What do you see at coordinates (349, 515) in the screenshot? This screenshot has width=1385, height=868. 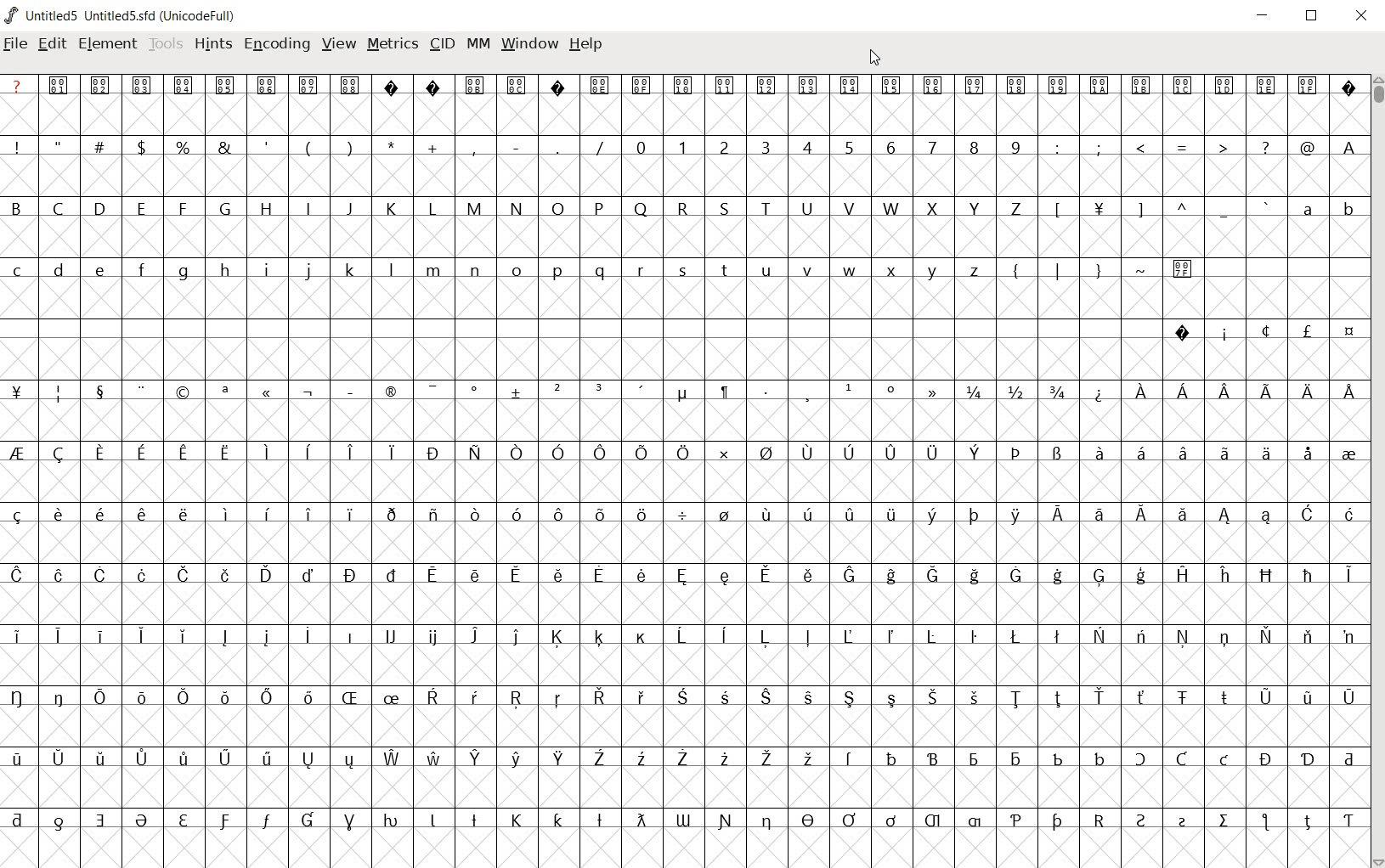 I see `Symbol` at bounding box center [349, 515].